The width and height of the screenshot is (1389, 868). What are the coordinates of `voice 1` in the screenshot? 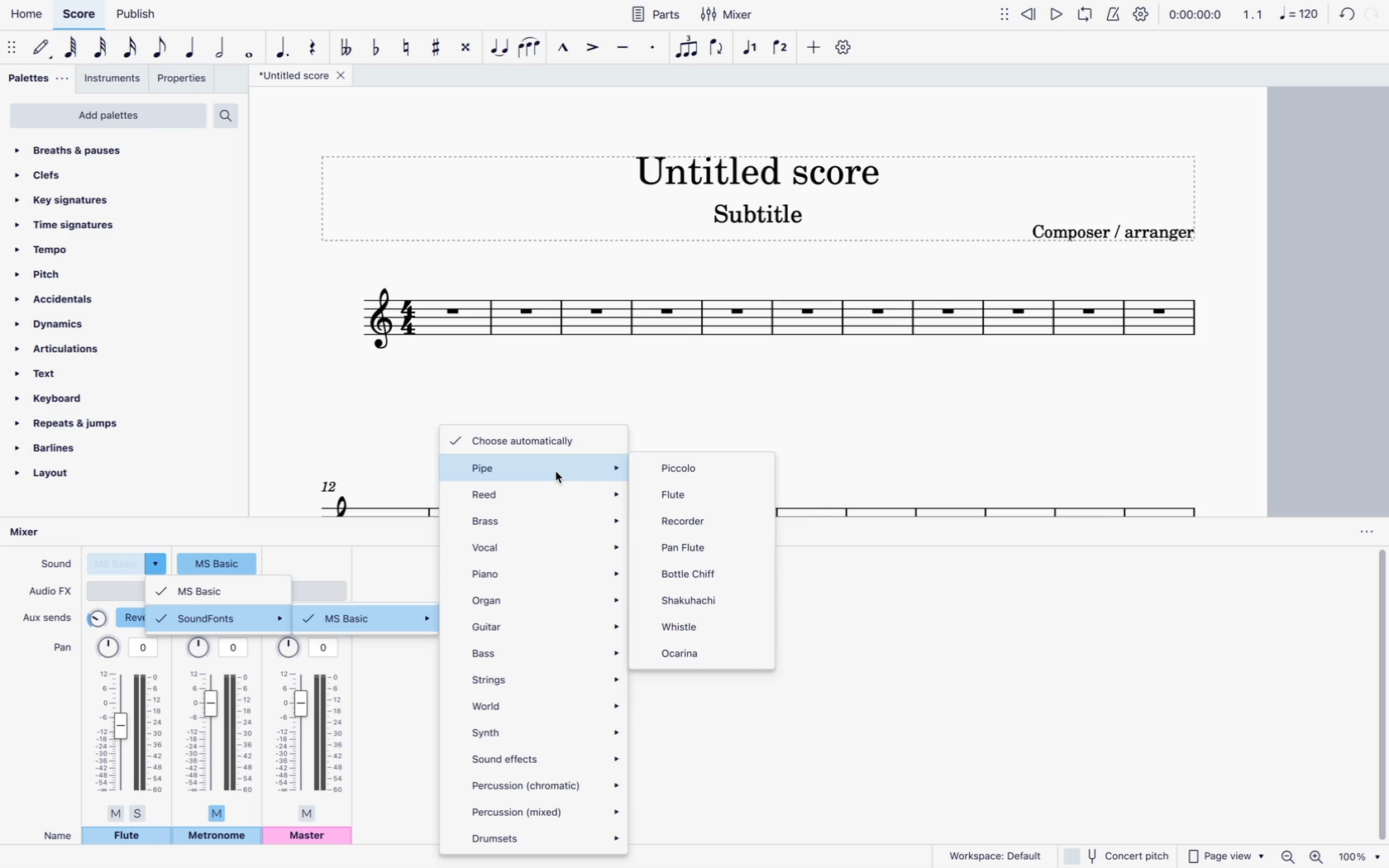 It's located at (752, 48).